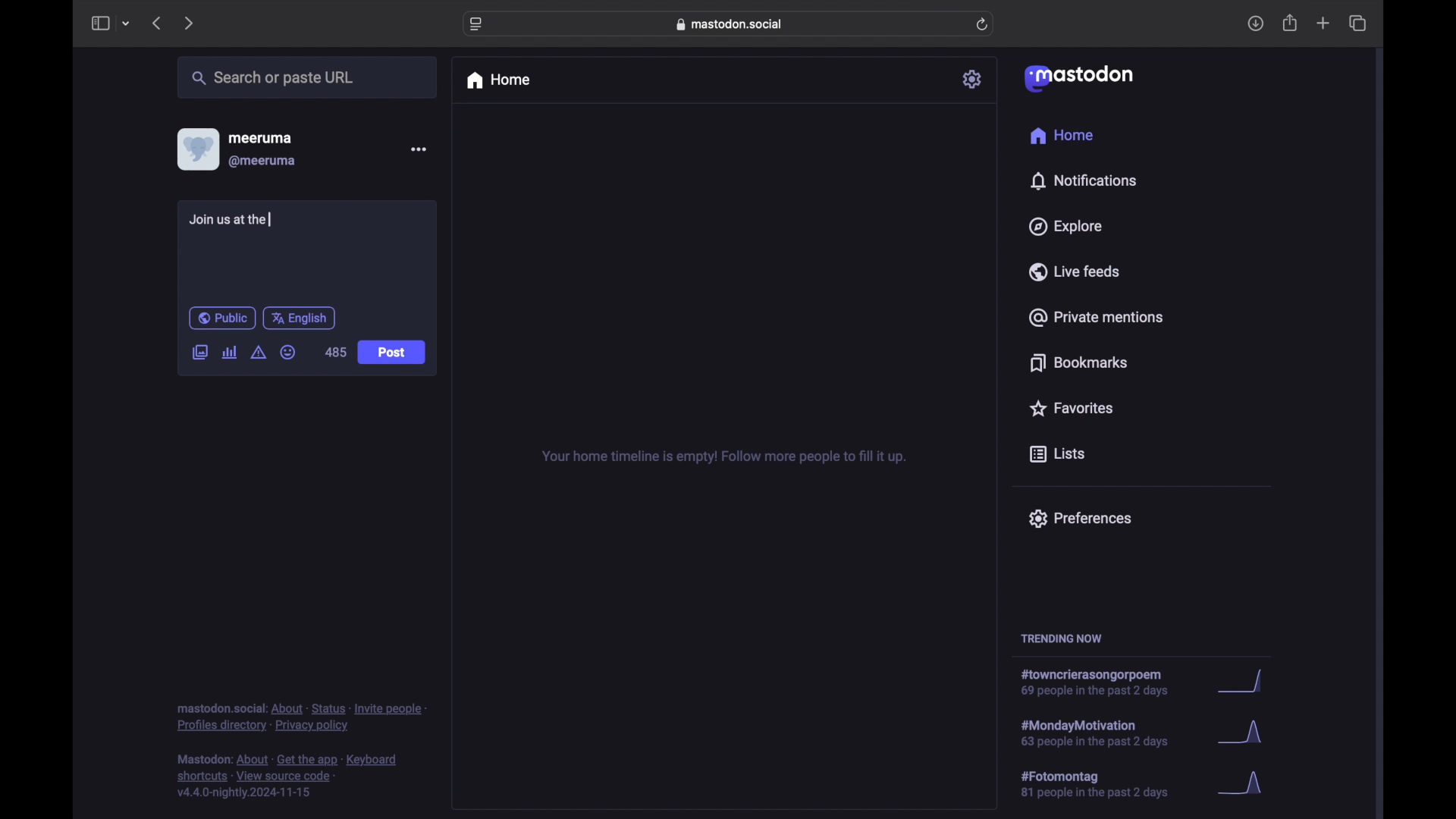  Describe the element at coordinates (1244, 682) in the screenshot. I see `graph` at that location.